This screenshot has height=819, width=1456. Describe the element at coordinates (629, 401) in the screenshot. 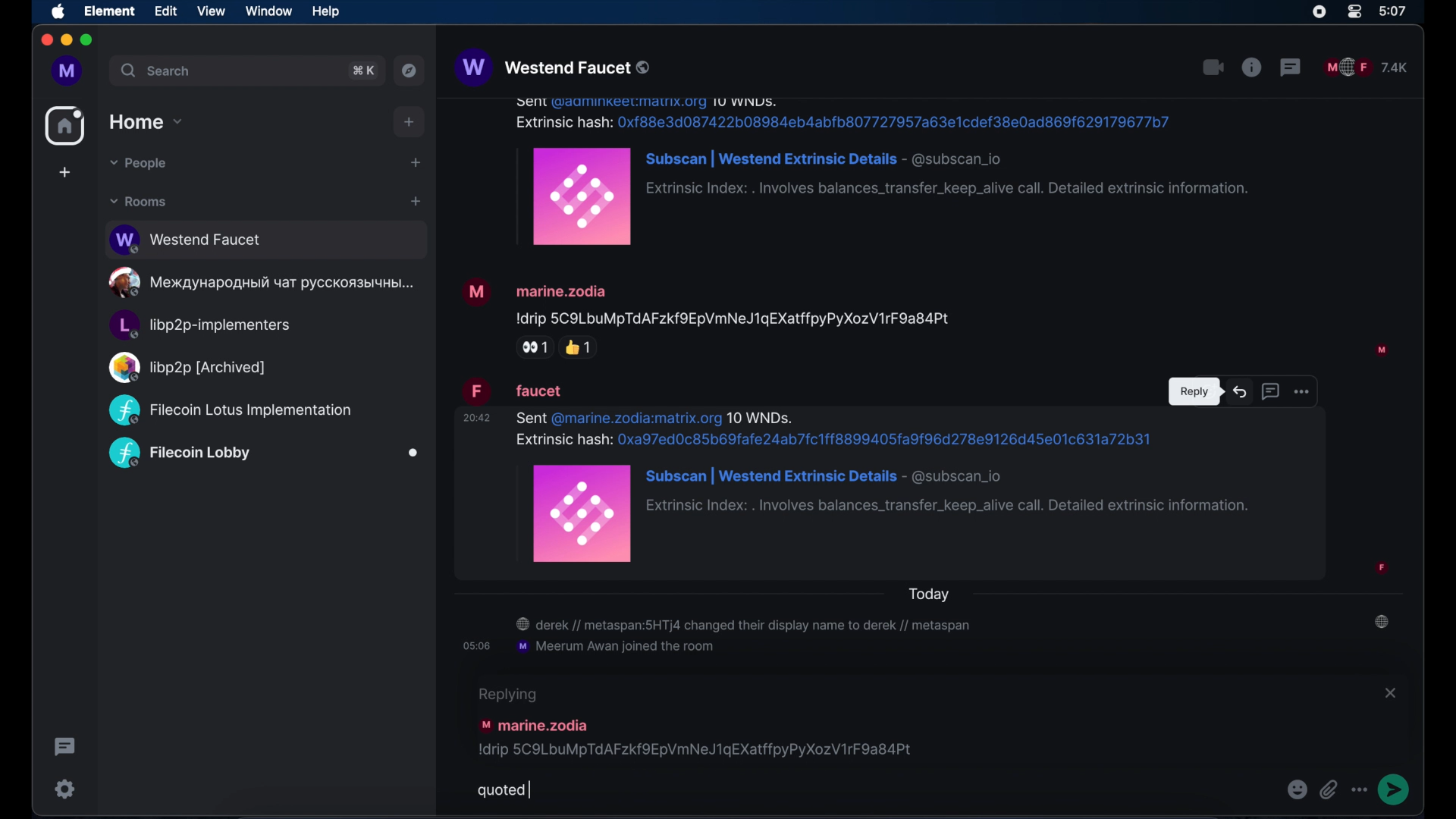

I see `message` at that location.